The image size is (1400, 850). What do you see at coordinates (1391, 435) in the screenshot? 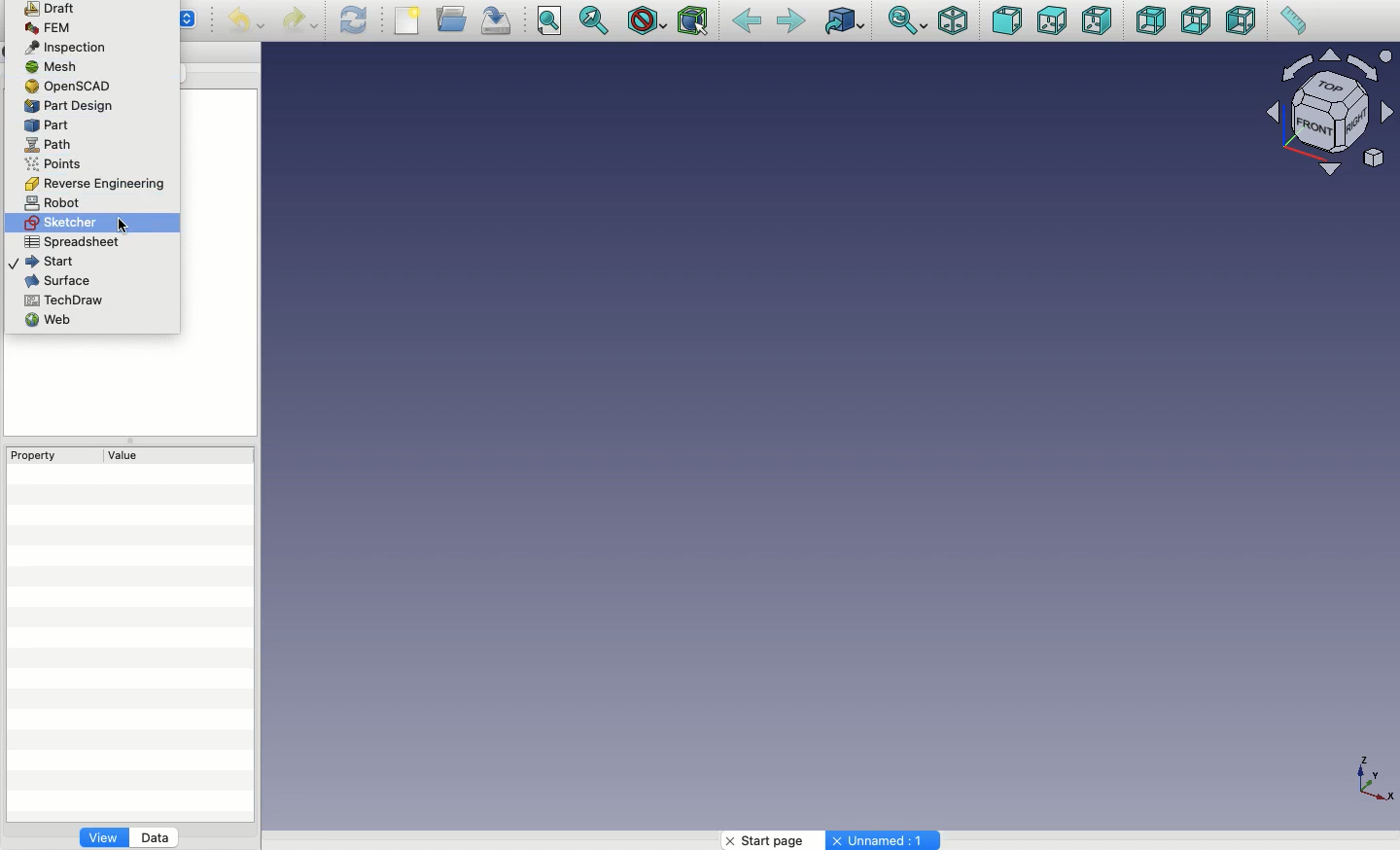
I see `Scroll` at bounding box center [1391, 435].